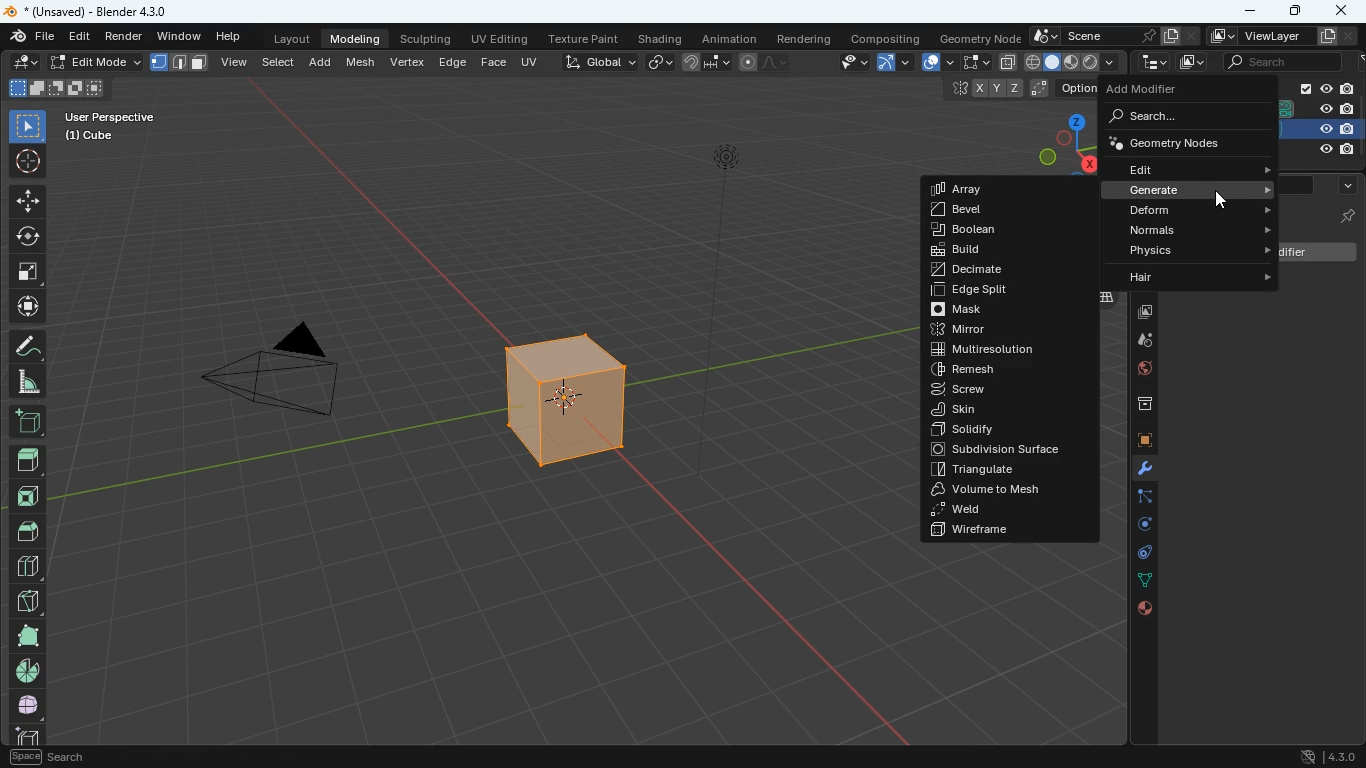 The height and width of the screenshot is (768, 1366). Describe the element at coordinates (287, 39) in the screenshot. I see `layout` at that location.